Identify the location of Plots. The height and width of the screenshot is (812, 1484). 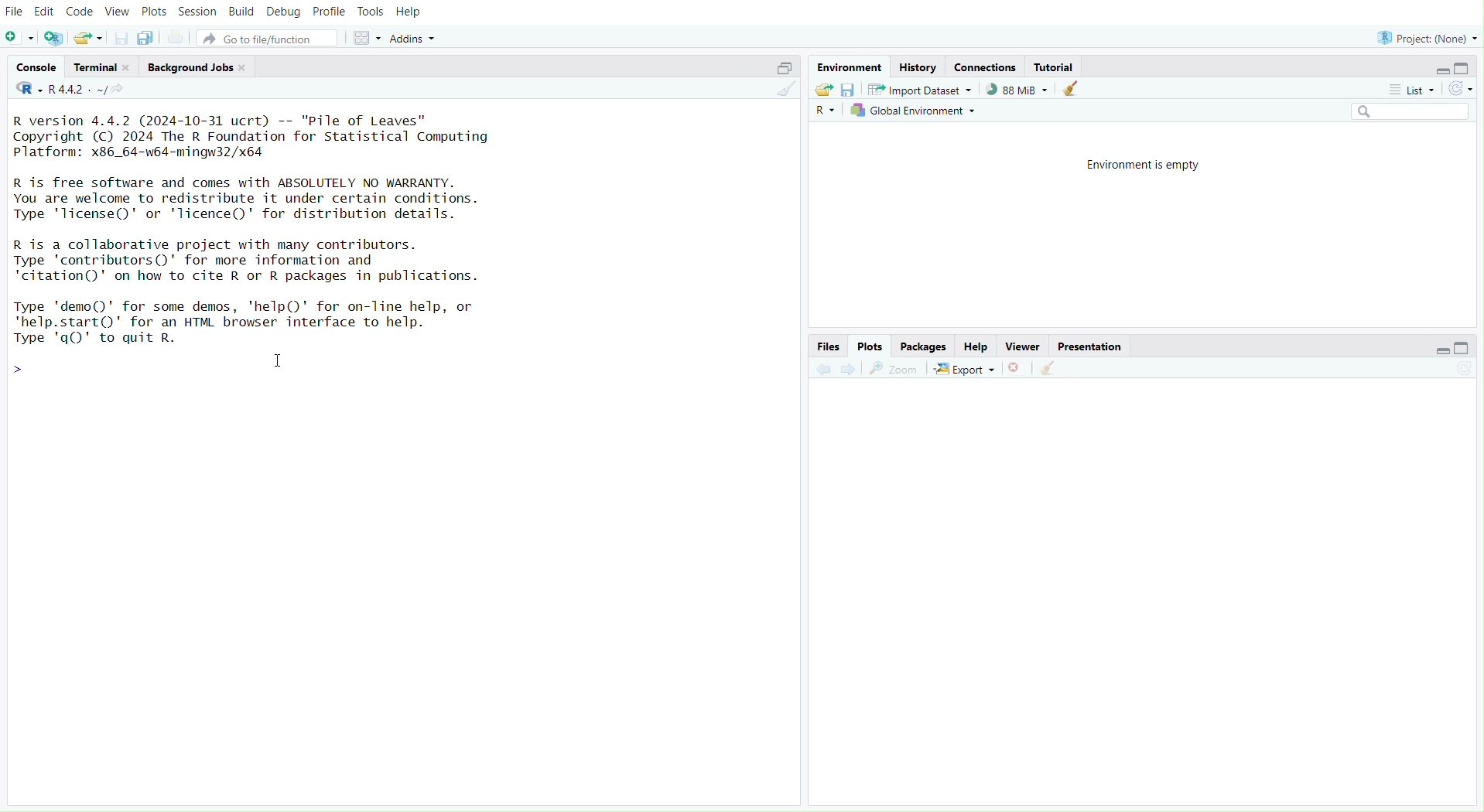
(870, 347).